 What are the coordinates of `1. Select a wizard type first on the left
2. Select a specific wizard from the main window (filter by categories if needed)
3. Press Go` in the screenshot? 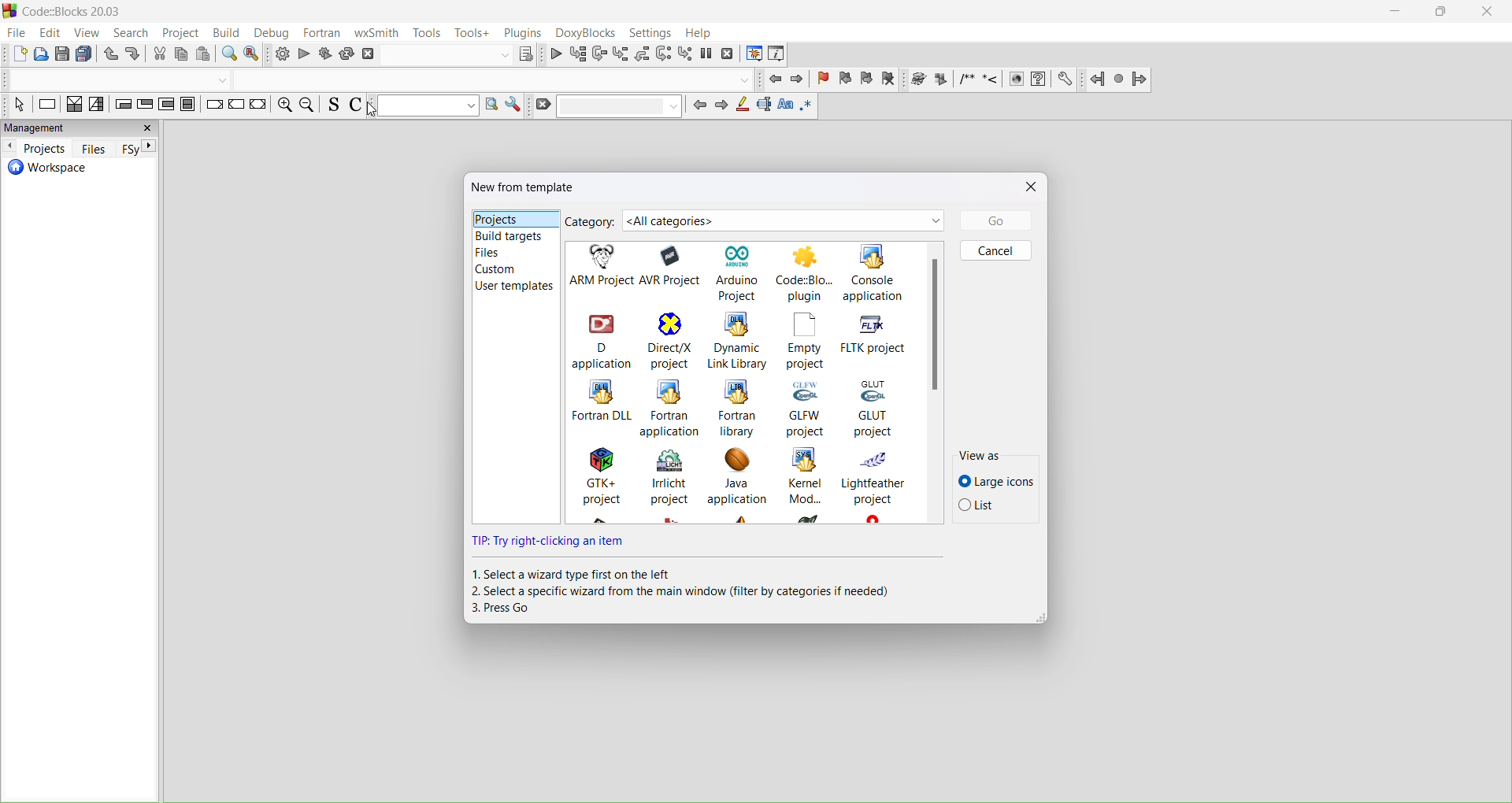 It's located at (693, 593).